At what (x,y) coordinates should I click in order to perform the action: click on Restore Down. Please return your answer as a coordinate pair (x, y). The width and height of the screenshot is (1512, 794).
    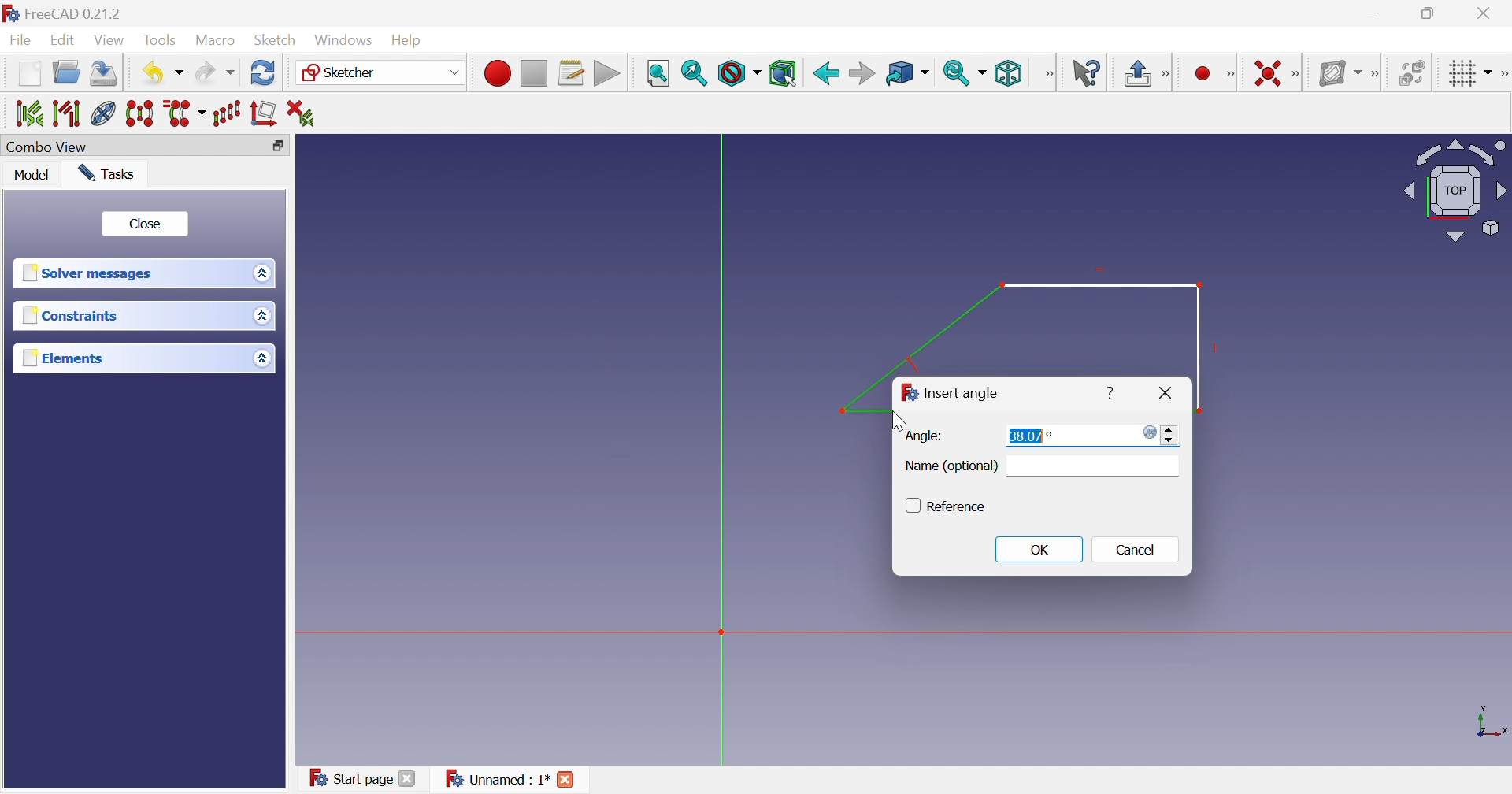
    Looking at the image, I should click on (1430, 13).